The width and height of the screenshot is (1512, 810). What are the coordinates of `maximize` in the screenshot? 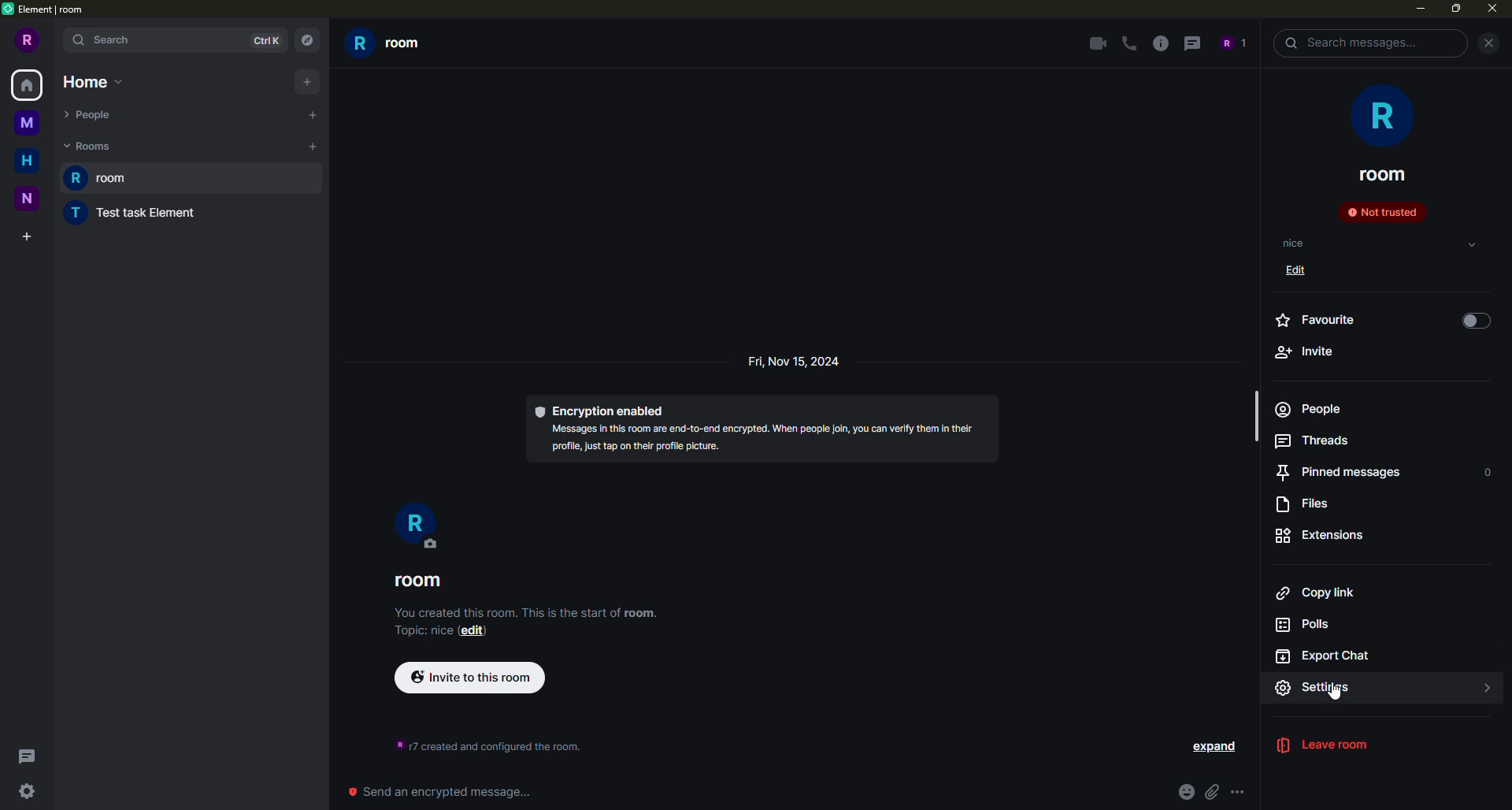 It's located at (1456, 10).